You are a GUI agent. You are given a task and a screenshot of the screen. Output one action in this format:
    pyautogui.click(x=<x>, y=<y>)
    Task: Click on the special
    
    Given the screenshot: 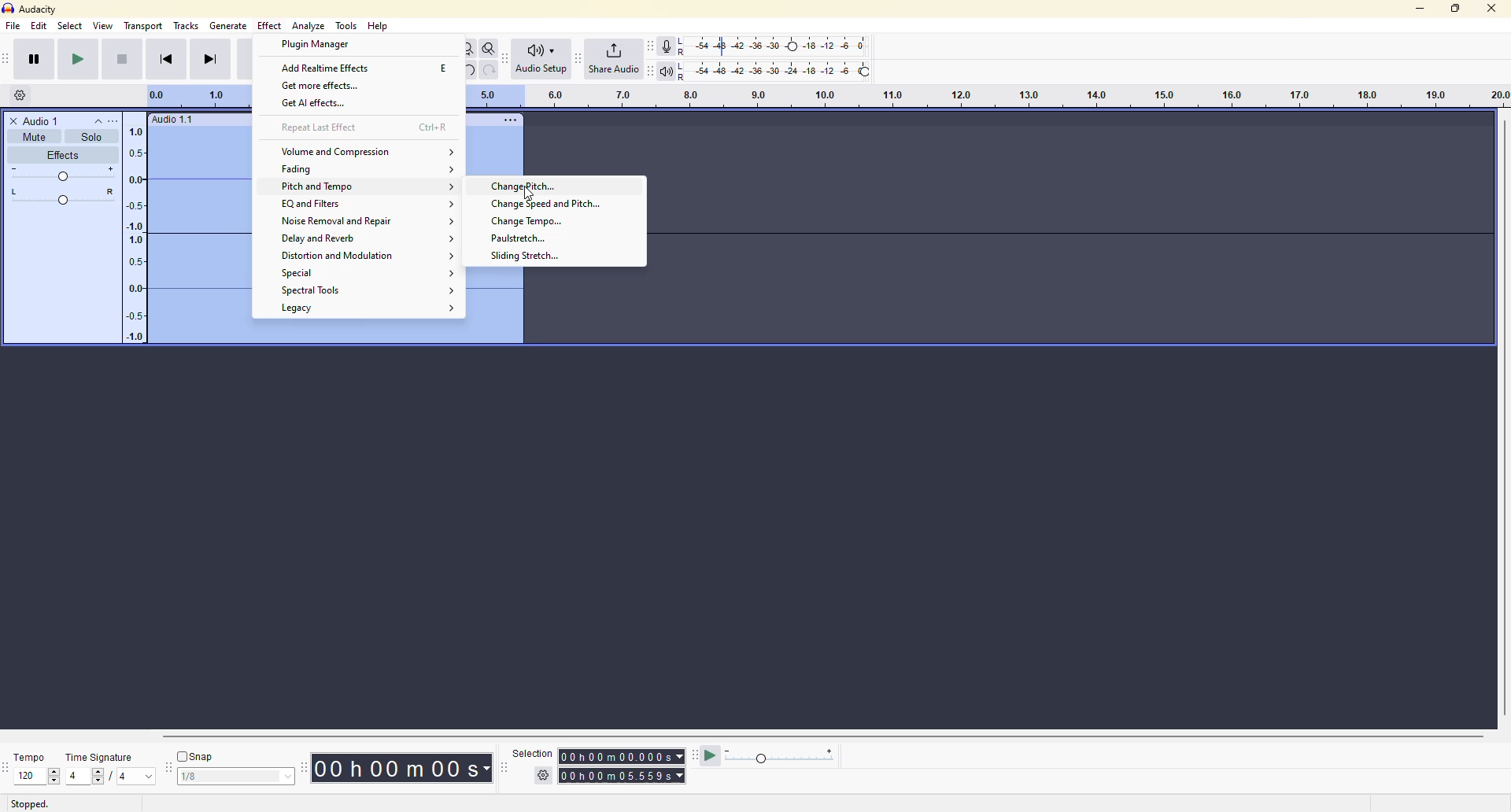 What is the action you would take?
    pyautogui.click(x=308, y=273)
    